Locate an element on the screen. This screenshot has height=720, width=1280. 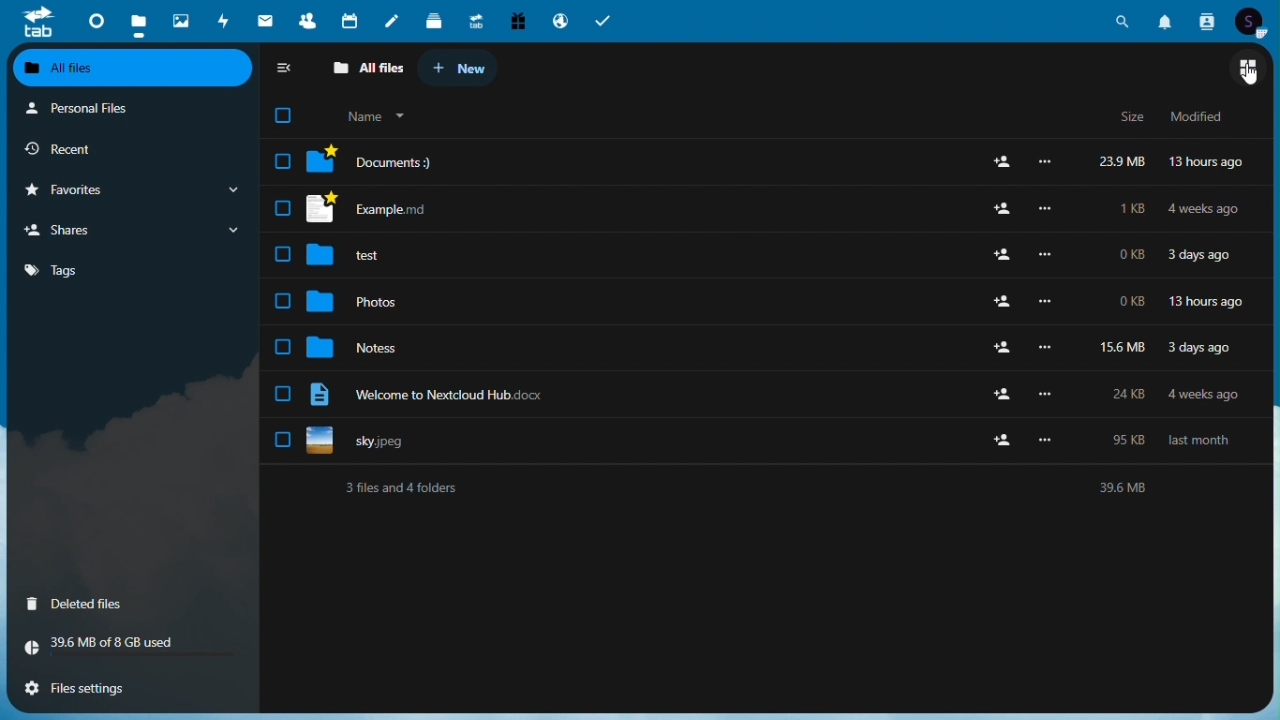
folder is located at coordinates (322, 254).